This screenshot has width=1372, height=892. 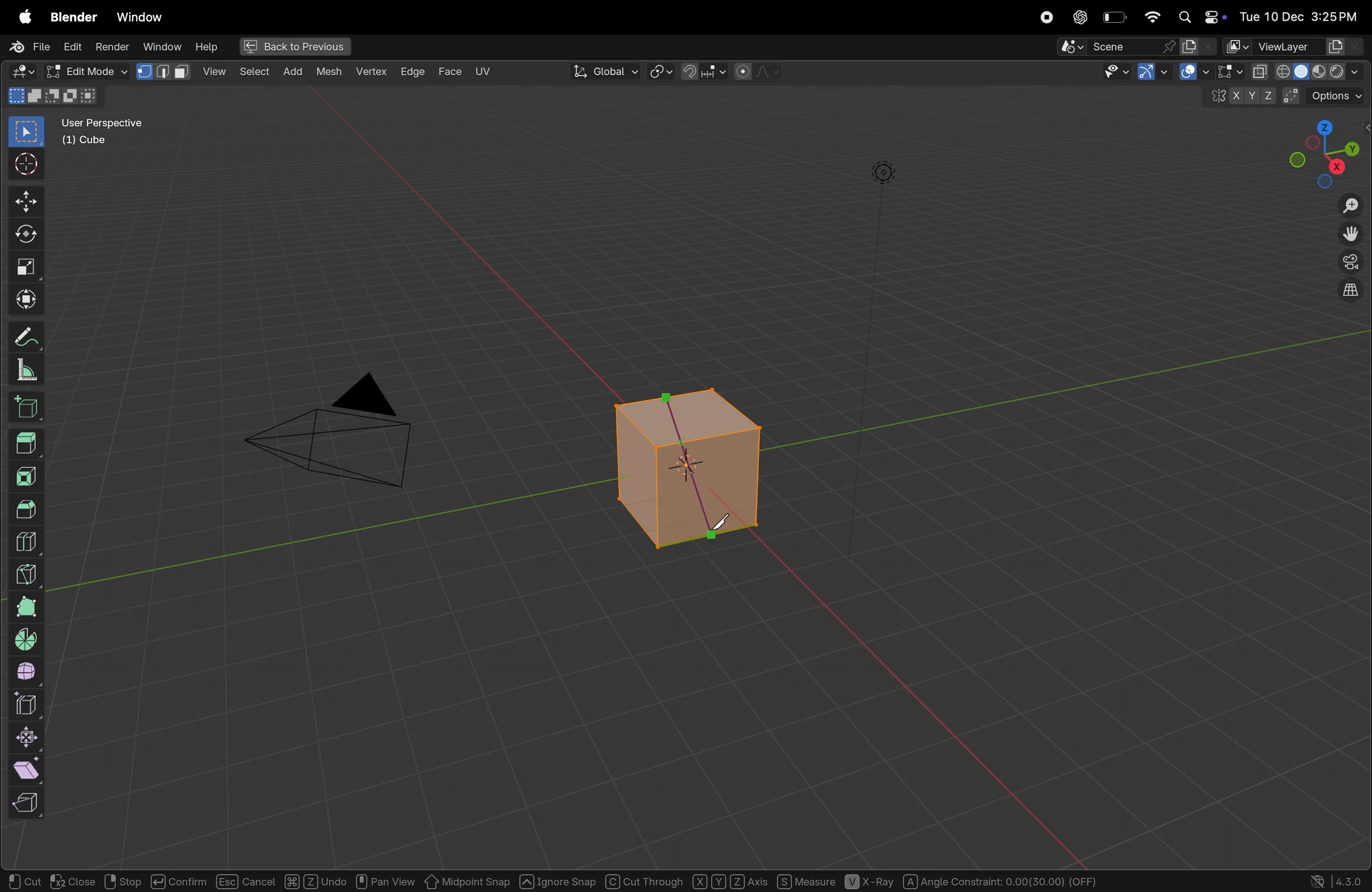 What do you see at coordinates (1201, 16) in the screenshot?
I see `apple widgets` at bounding box center [1201, 16].